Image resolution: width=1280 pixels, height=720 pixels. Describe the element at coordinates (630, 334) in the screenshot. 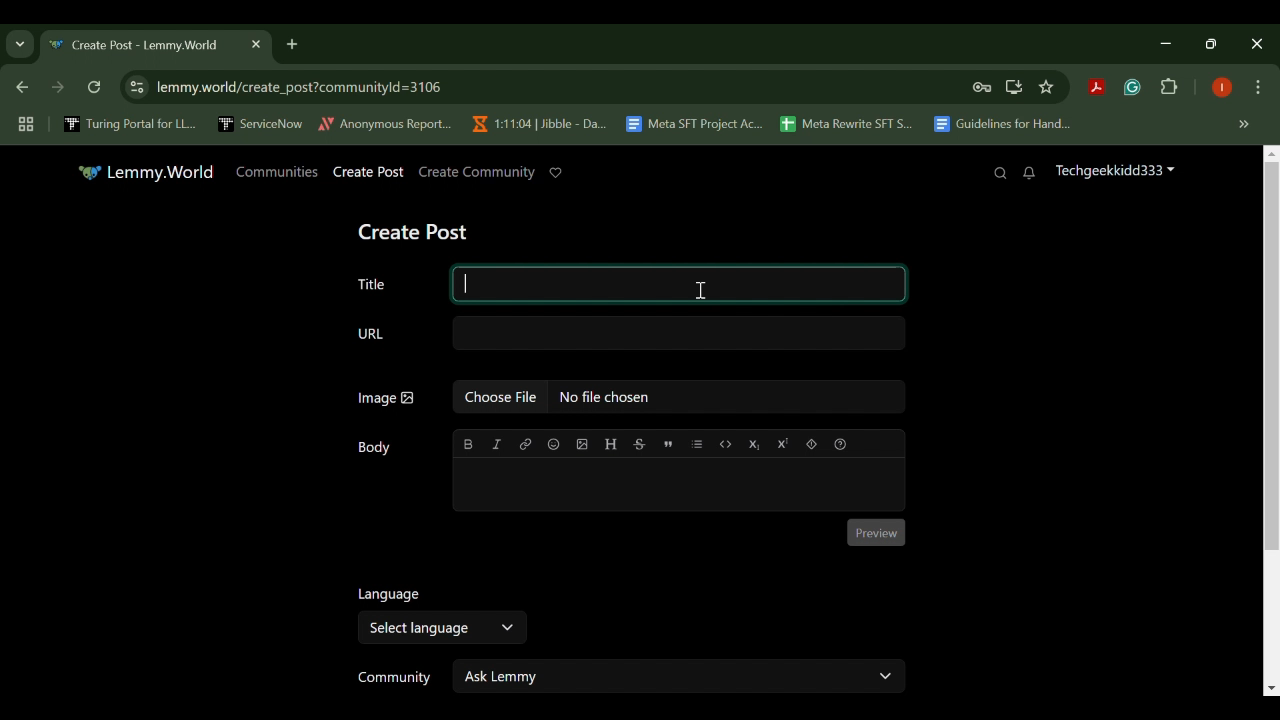

I see `URL` at that location.